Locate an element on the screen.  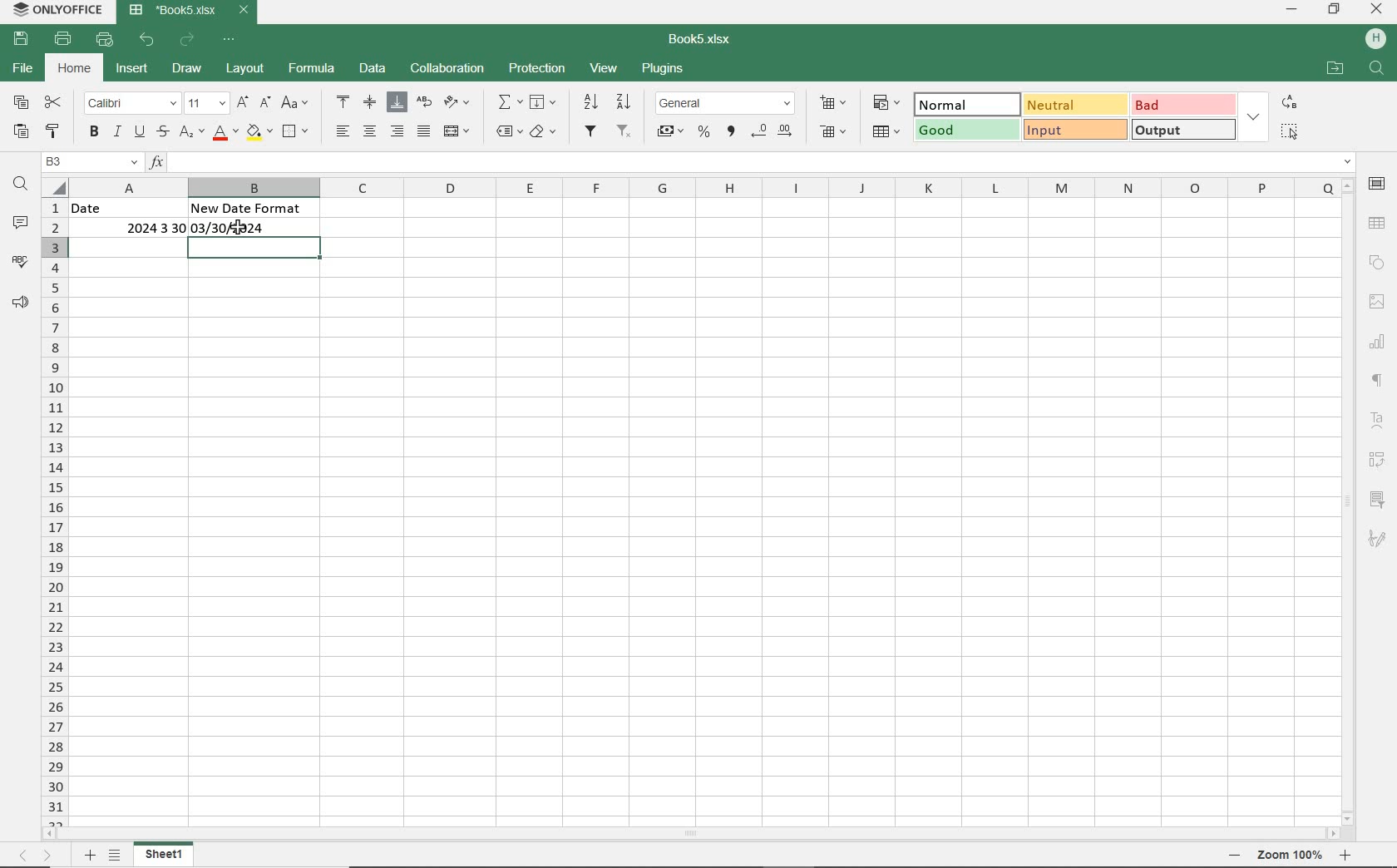
CHANGE CASE is located at coordinates (297, 104).